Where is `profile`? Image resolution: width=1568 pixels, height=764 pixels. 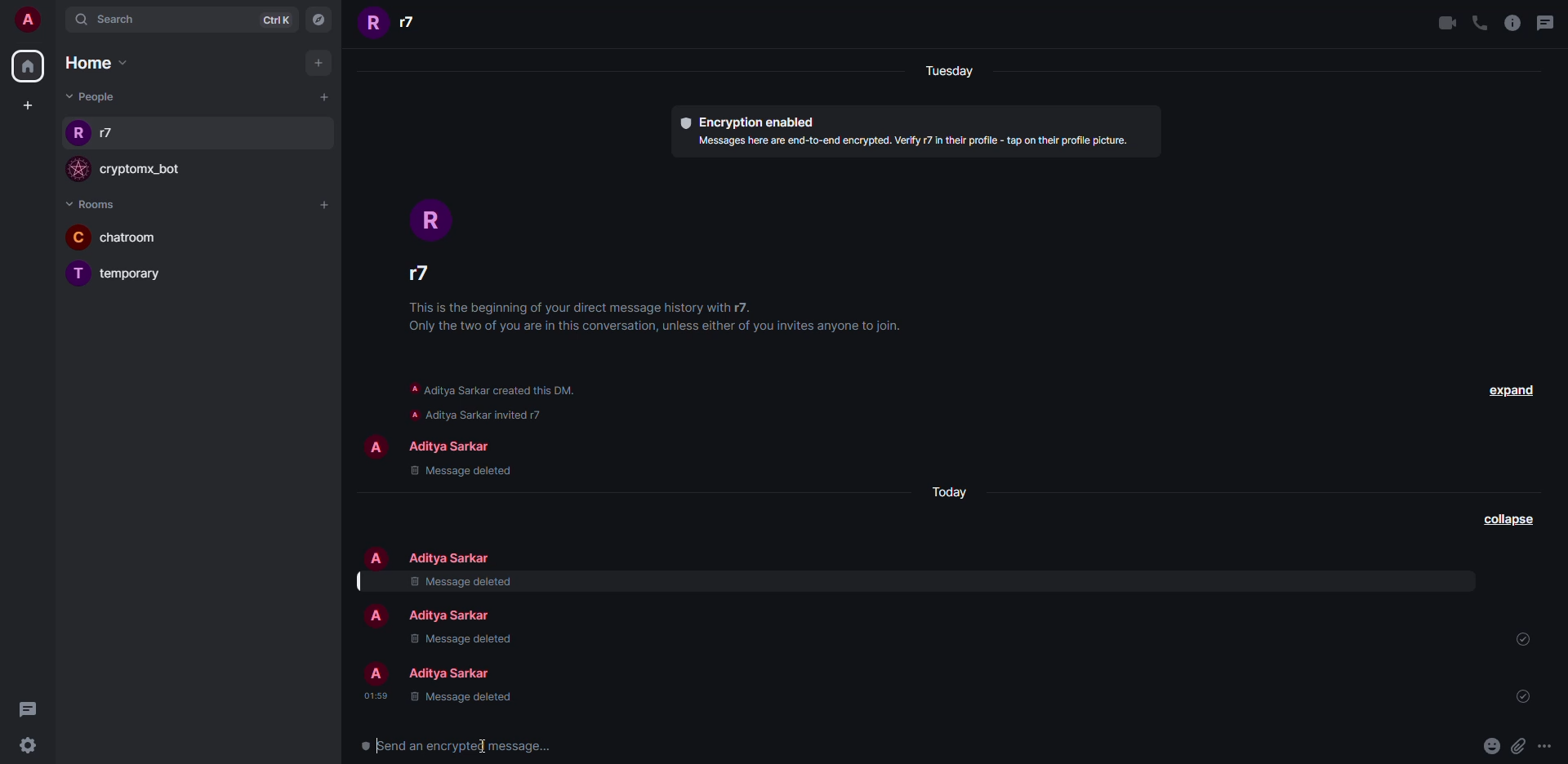
profile is located at coordinates (78, 170).